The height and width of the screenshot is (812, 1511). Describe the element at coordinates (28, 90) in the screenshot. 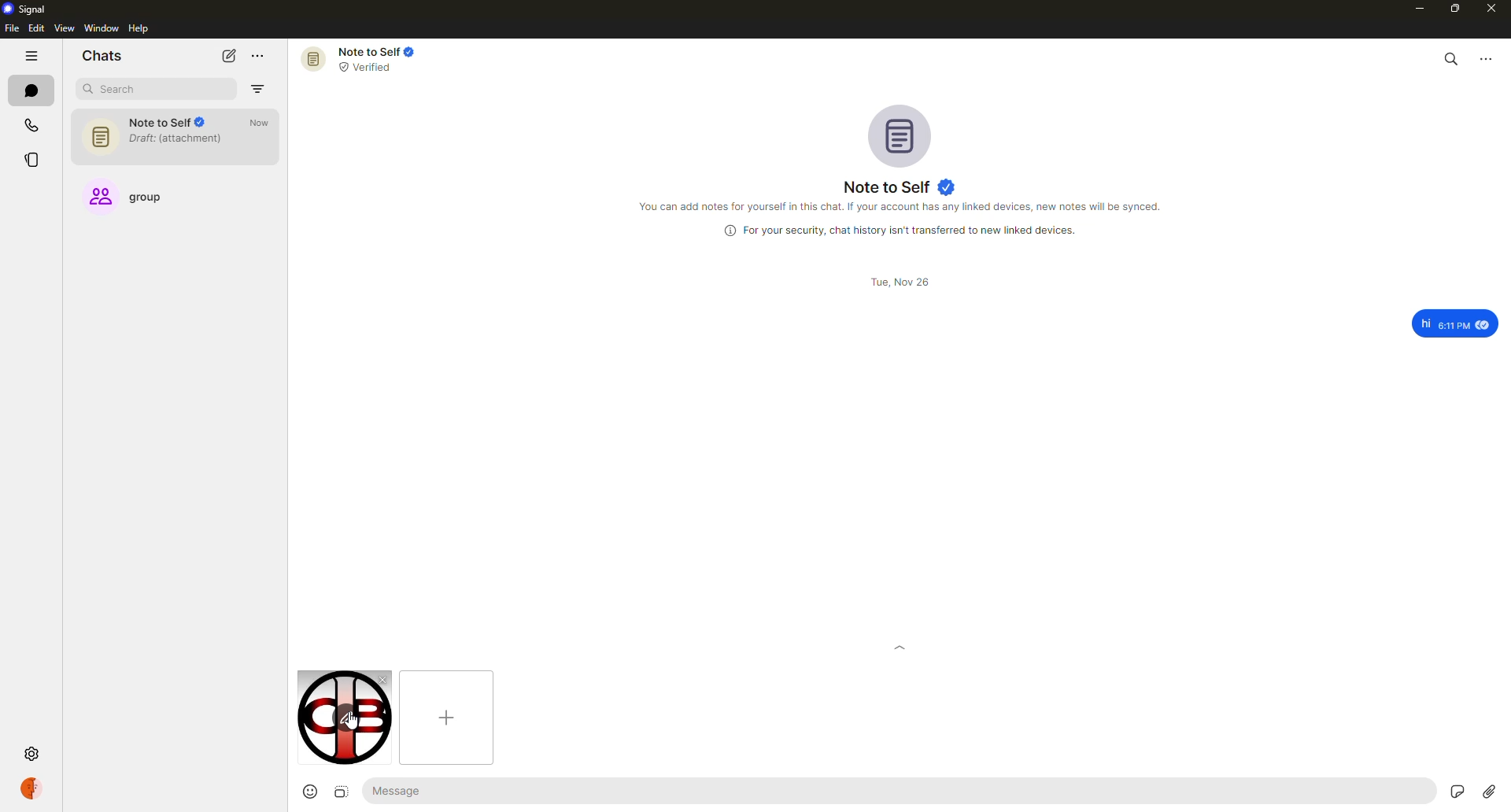

I see `chats` at that location.